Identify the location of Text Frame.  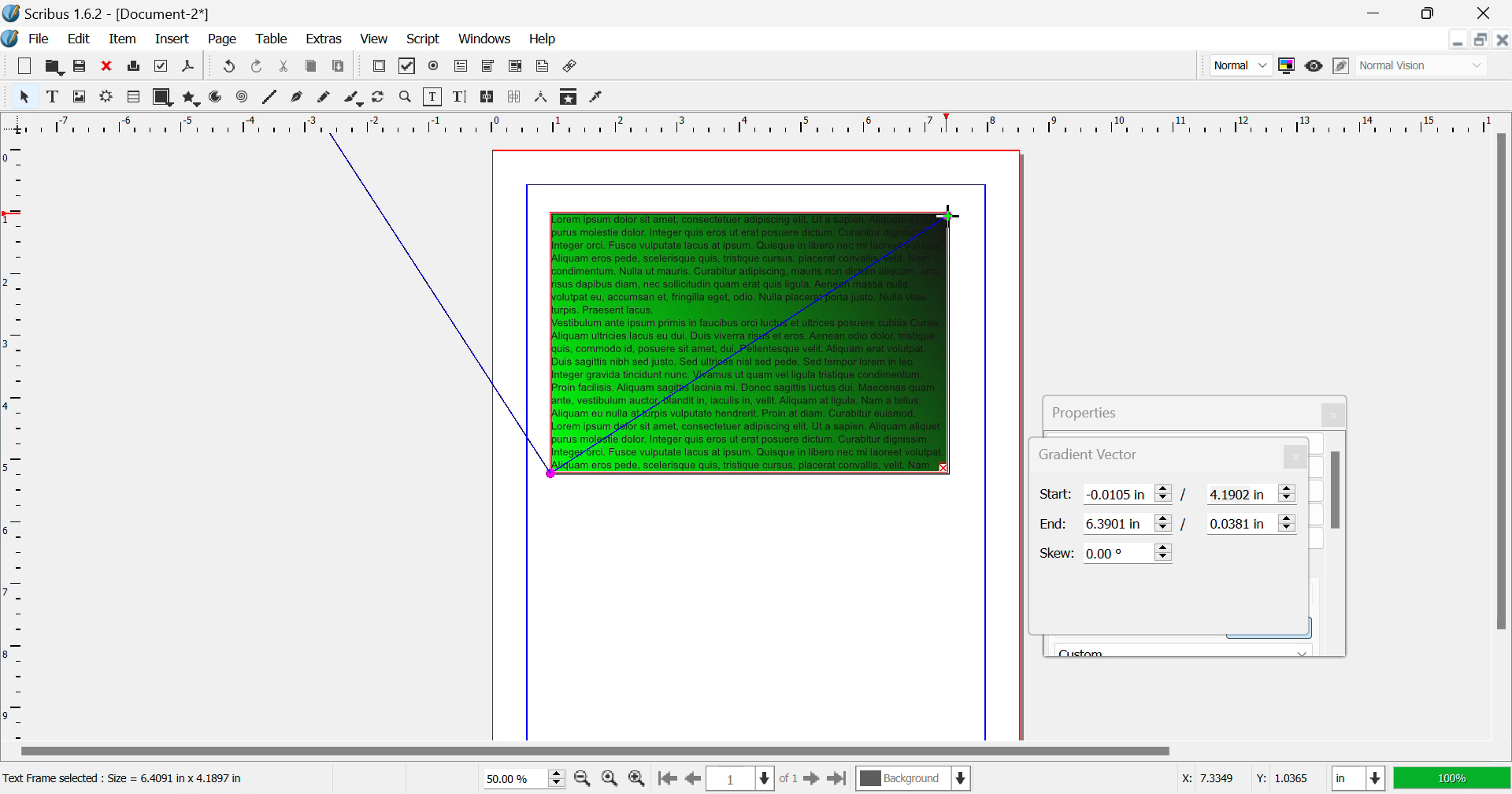
(53, 96).